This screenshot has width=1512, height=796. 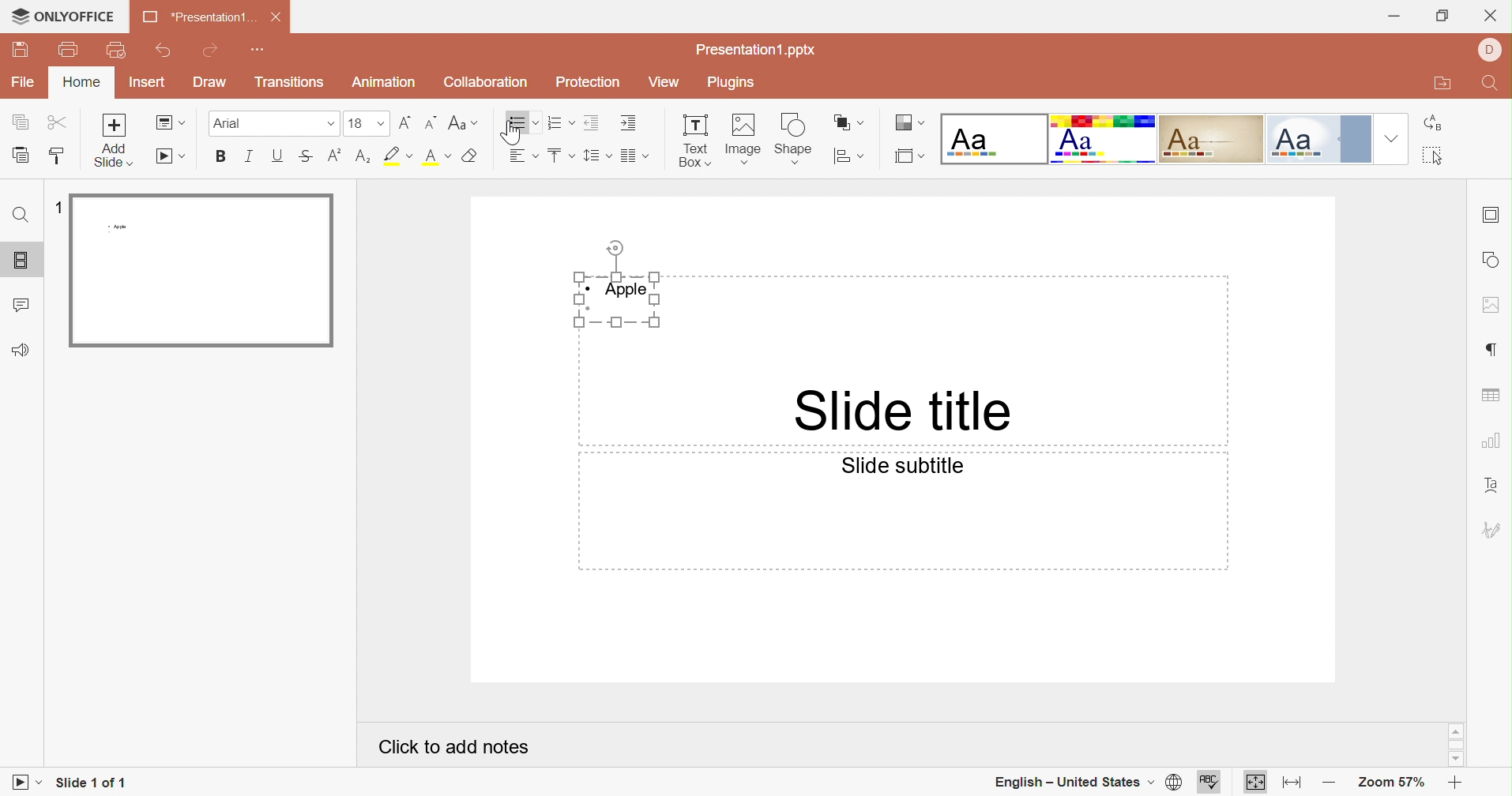 I want to click on Drop Down, so click(x=331, y=125).